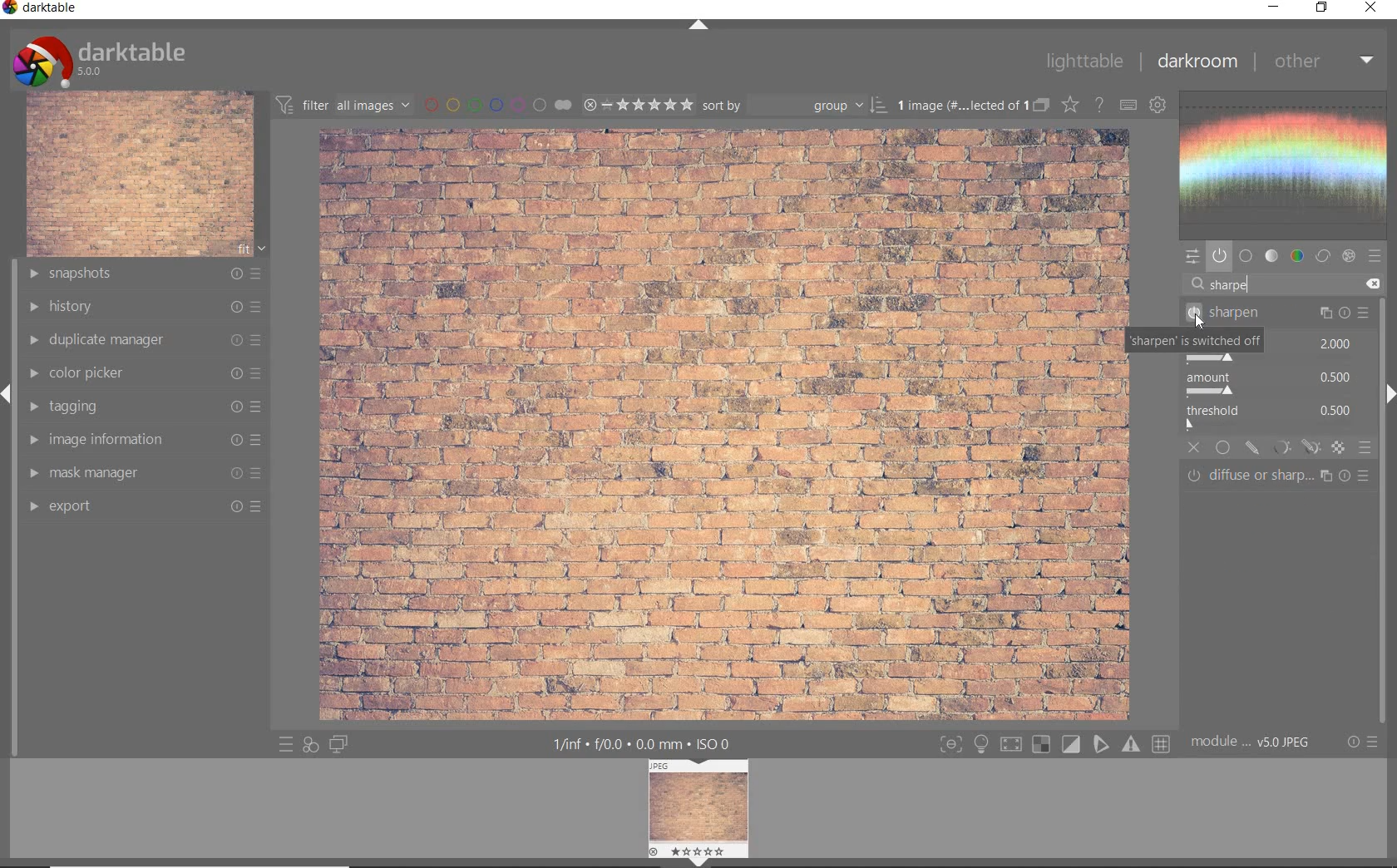 The width and height of the screenshot is (1397, 868). What do you see at coordinates (1224, 448) in the screenshot?
I see `UNIFORMLY` at bounding box center [1224, 448].